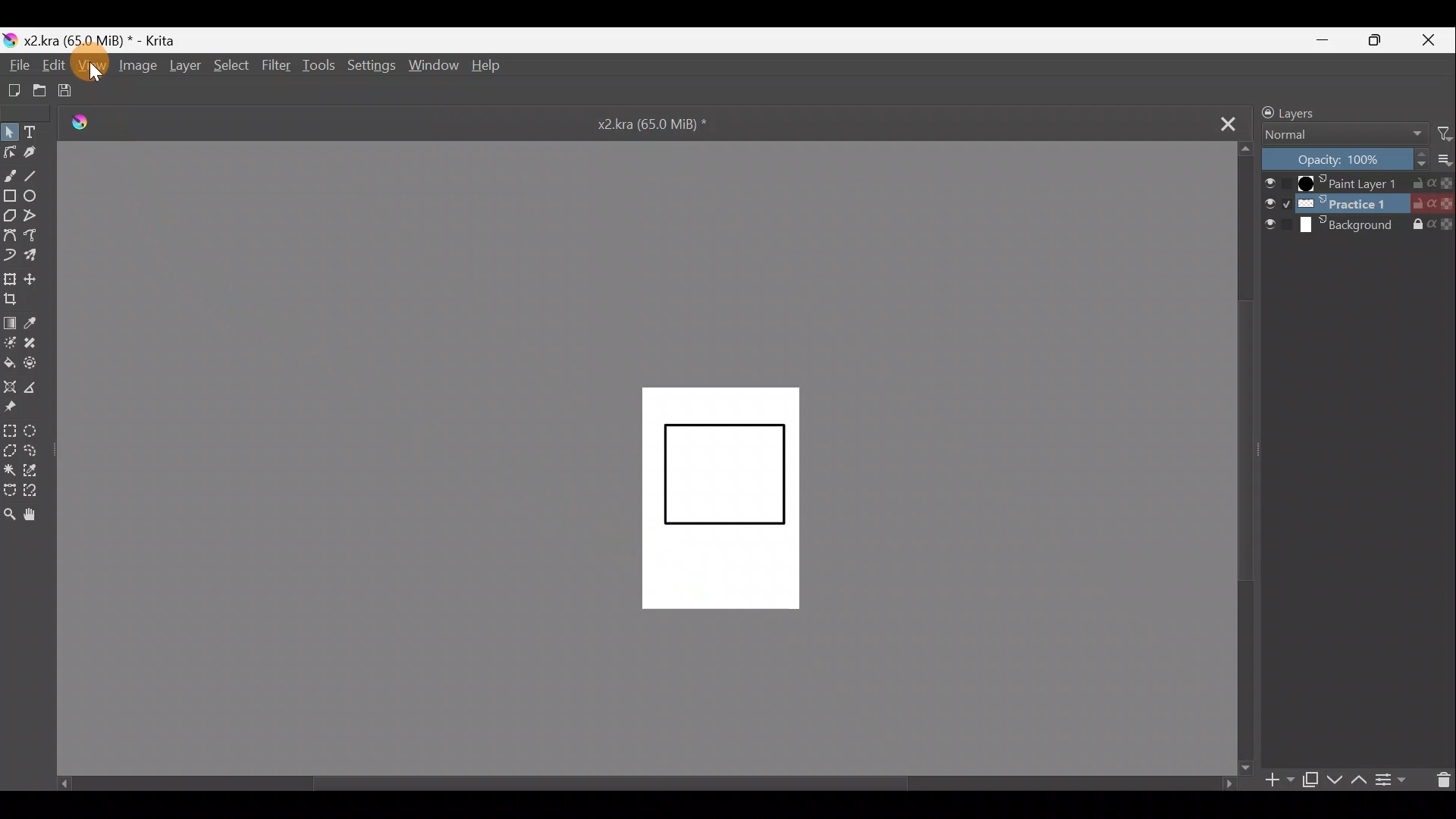  I want to click on Freehand selection tool, so click(39, 450).